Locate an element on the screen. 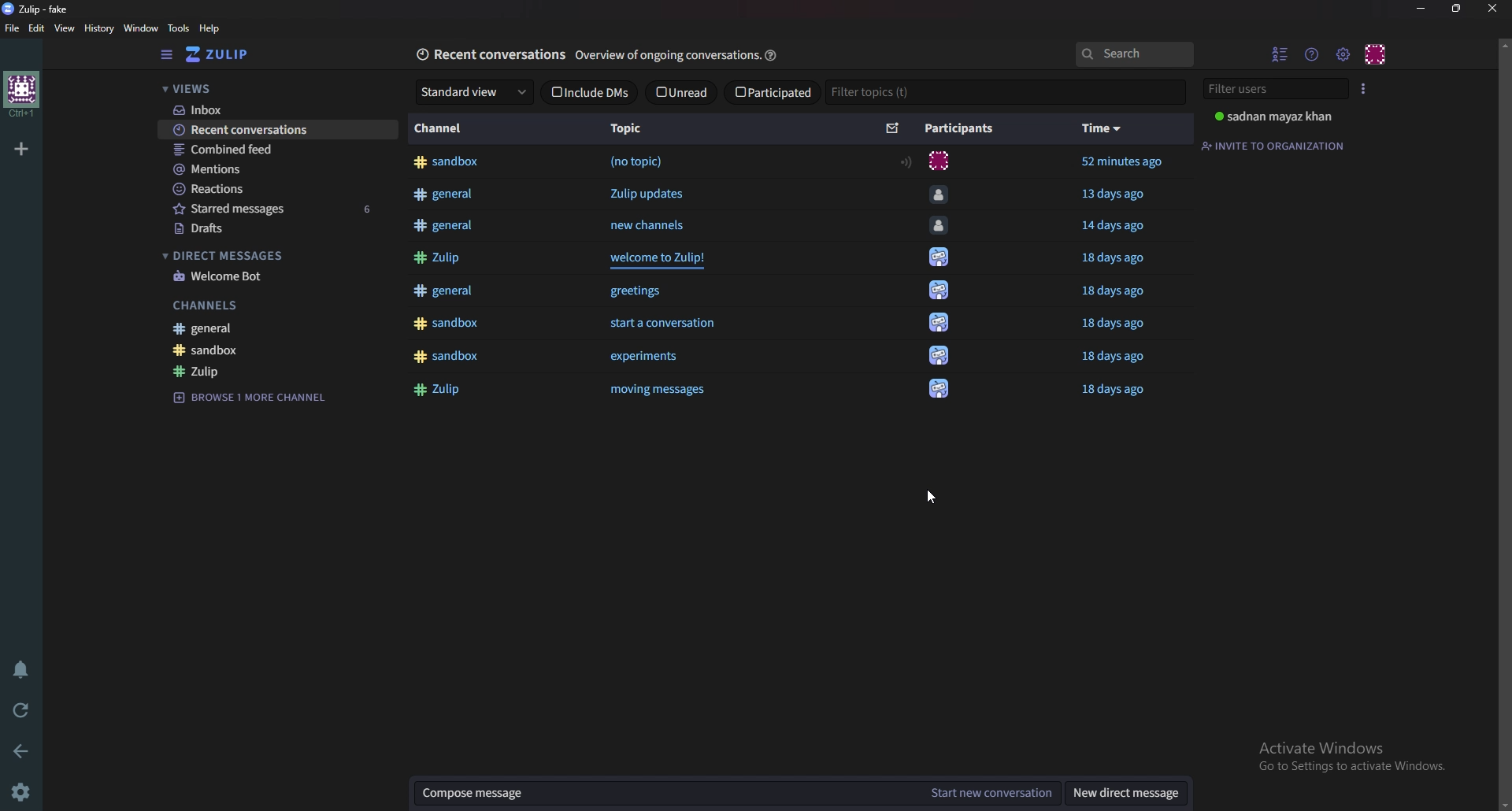 The height and width of the screenshot is (811, 1512). Channels is located at coordinates (254, 305).